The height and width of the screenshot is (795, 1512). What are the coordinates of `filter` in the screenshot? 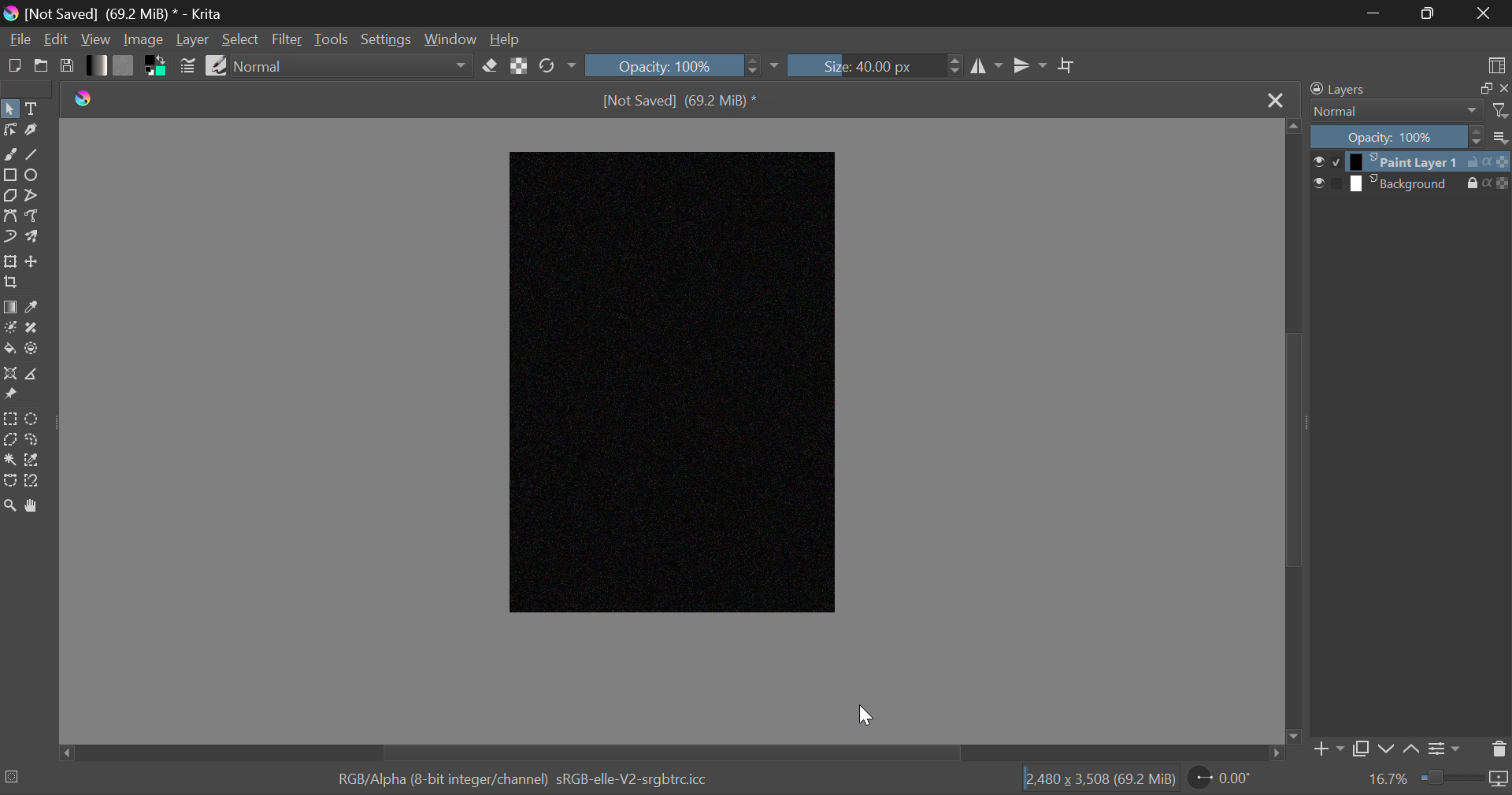 It's located at (1501, 110).